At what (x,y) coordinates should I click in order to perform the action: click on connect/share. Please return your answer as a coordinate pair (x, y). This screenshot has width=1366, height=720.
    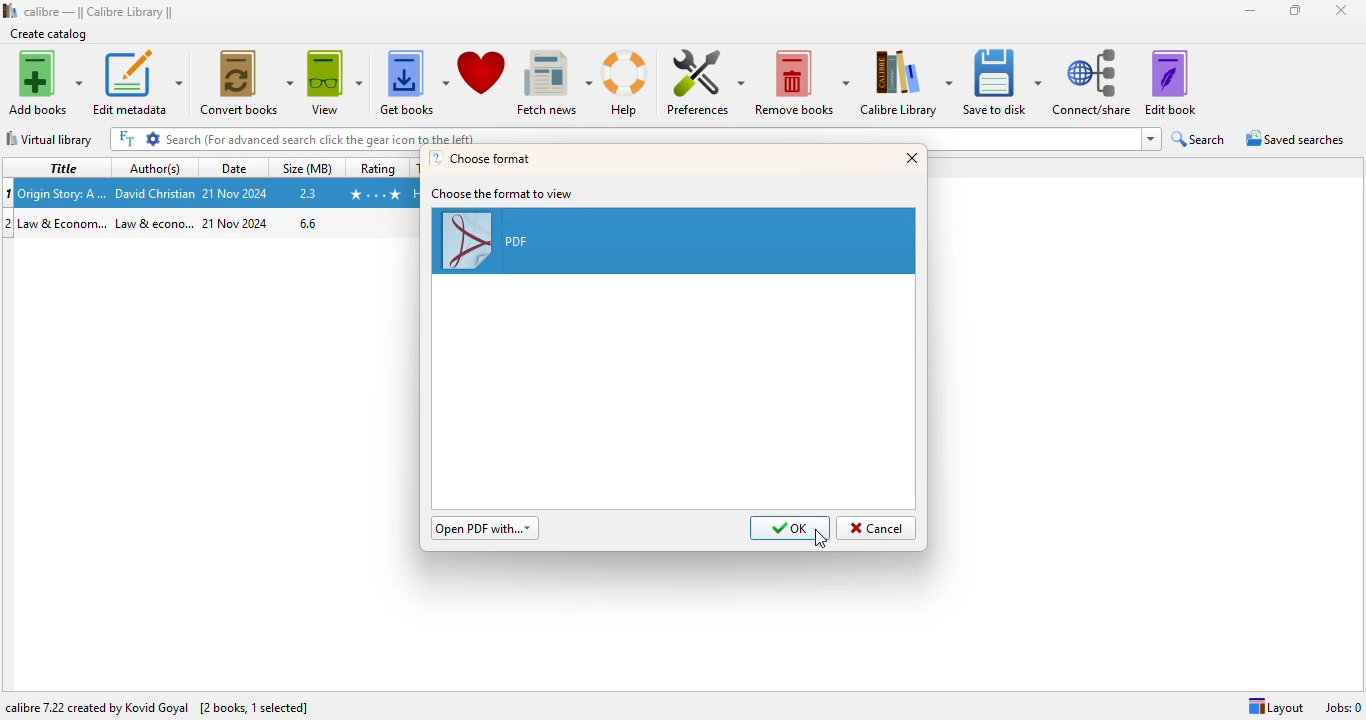
    Looking at the image, I should click on (1094, 82).